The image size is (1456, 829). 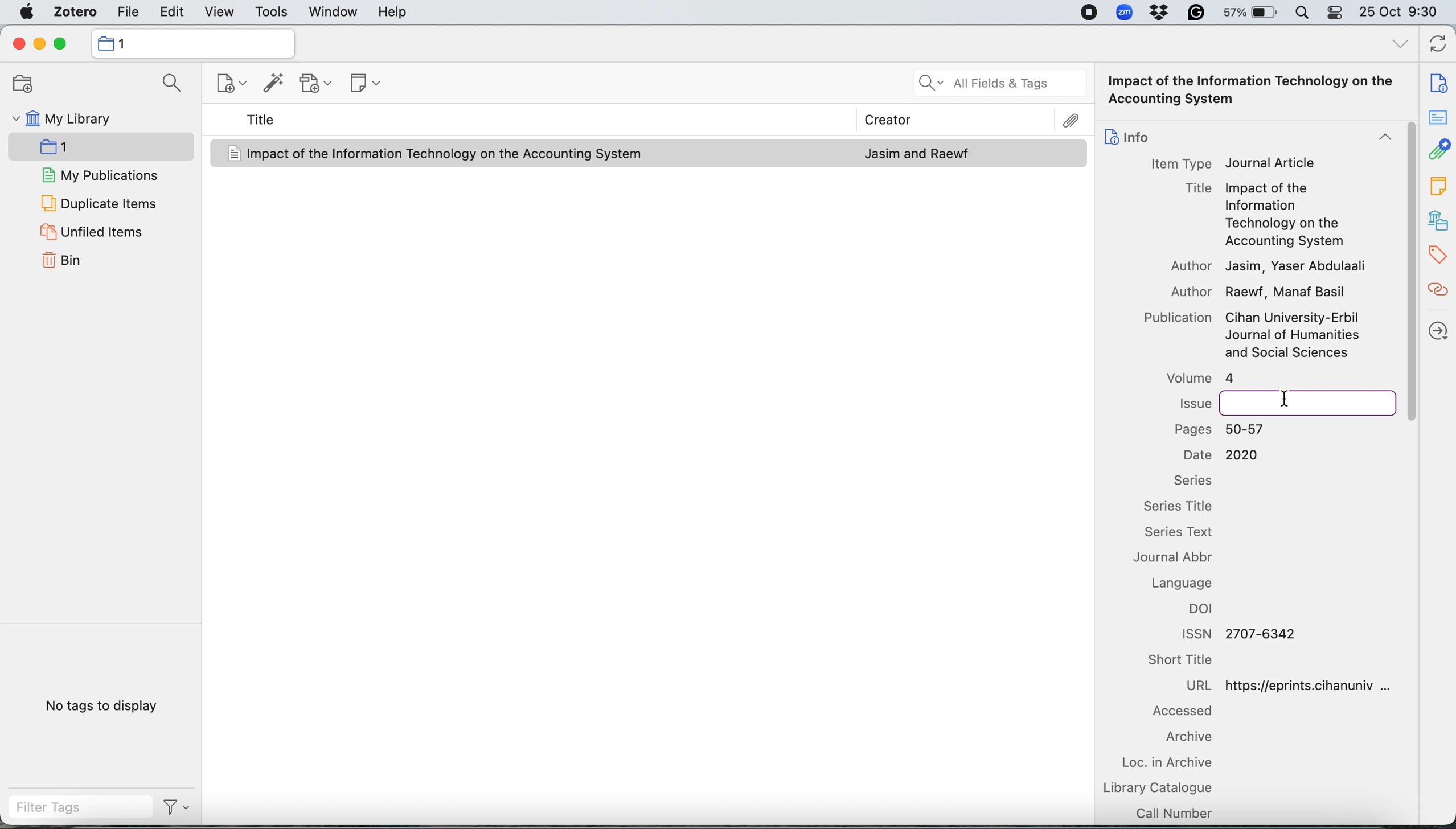 I want to click on Cursor, so click(x=1409, y=272).